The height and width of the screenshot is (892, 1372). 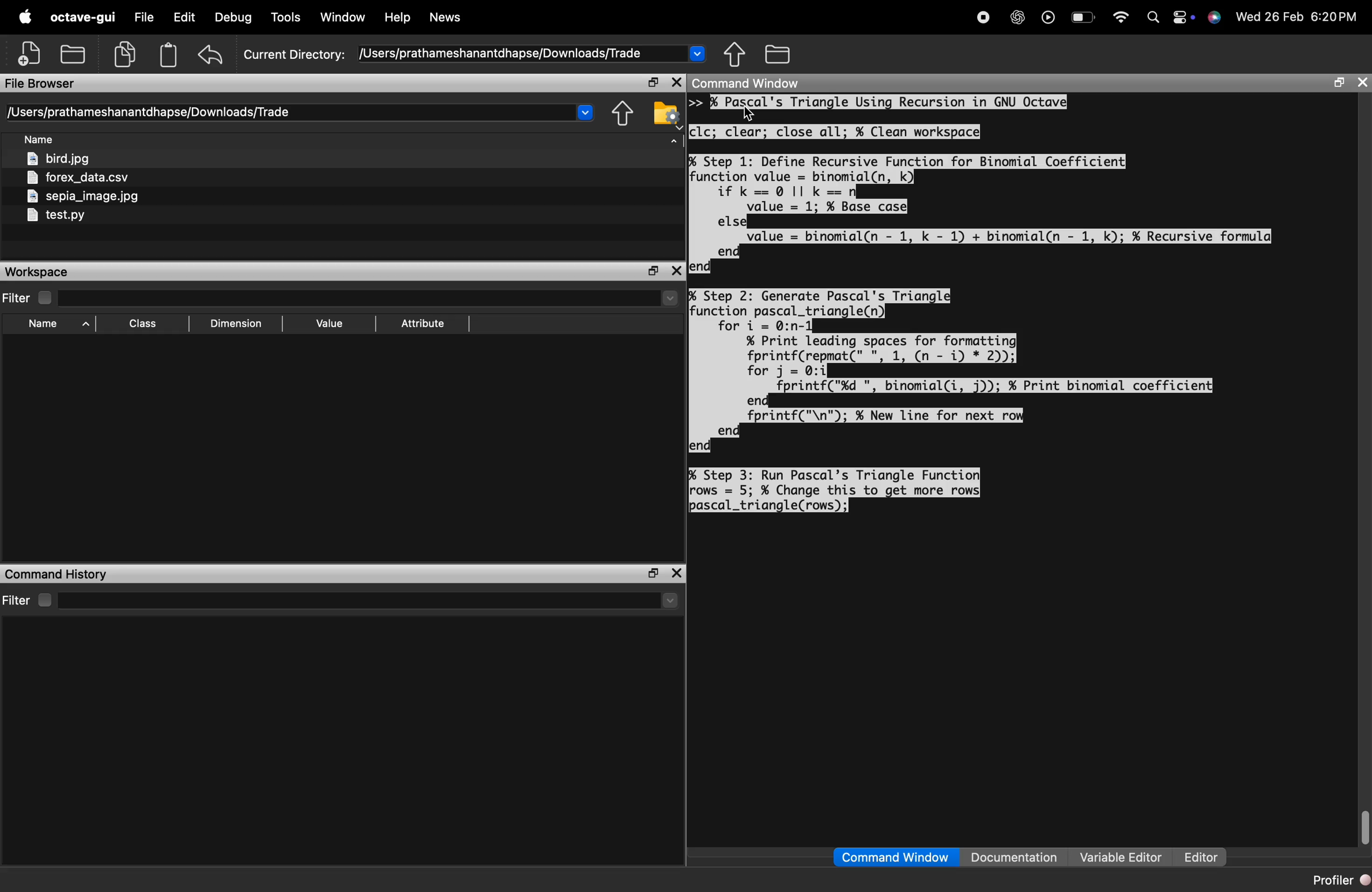 I want to click on Command Window, so click(x=747, y=83).